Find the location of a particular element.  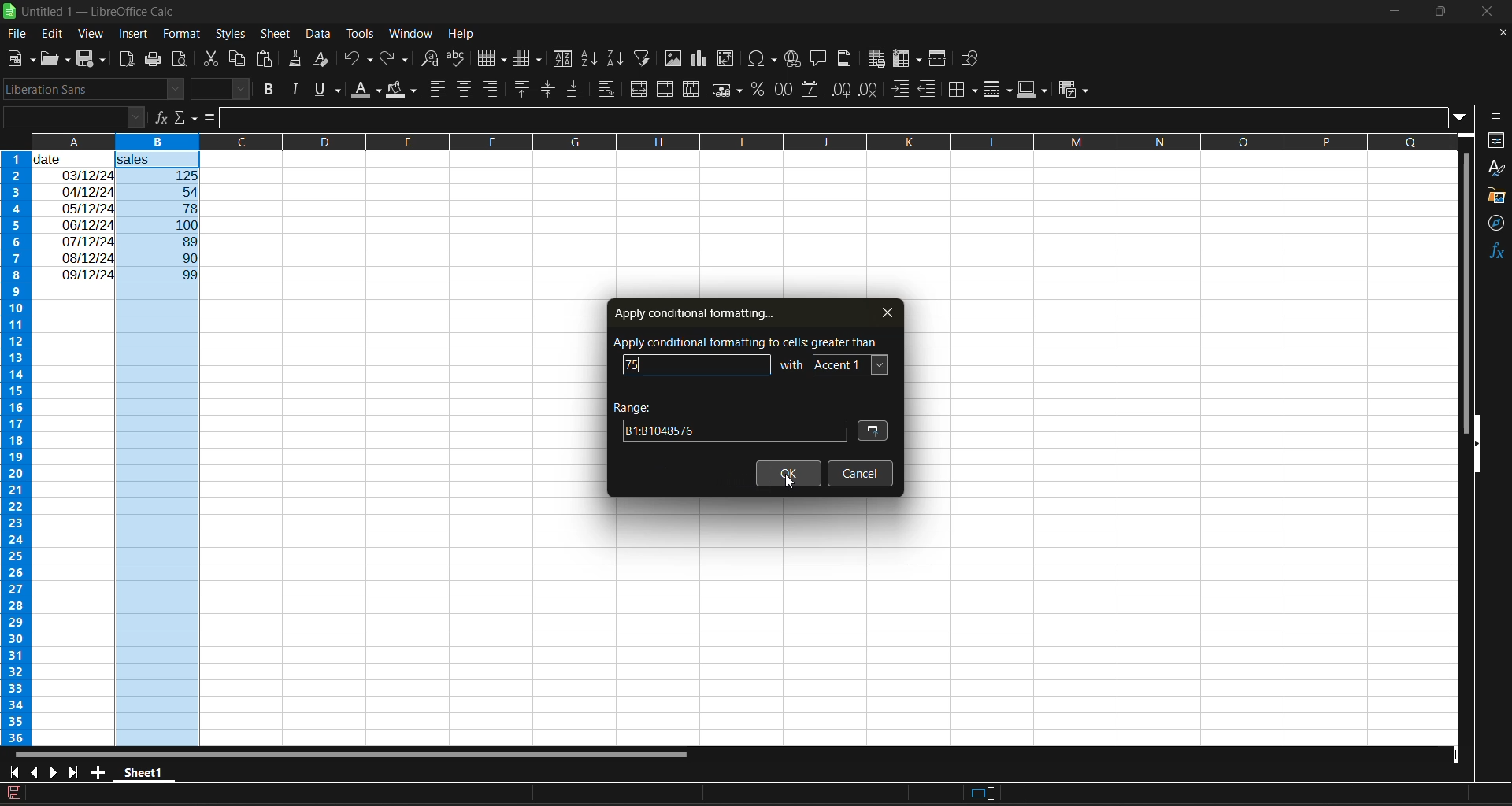

standard selection is located at coordinates (983, 793).